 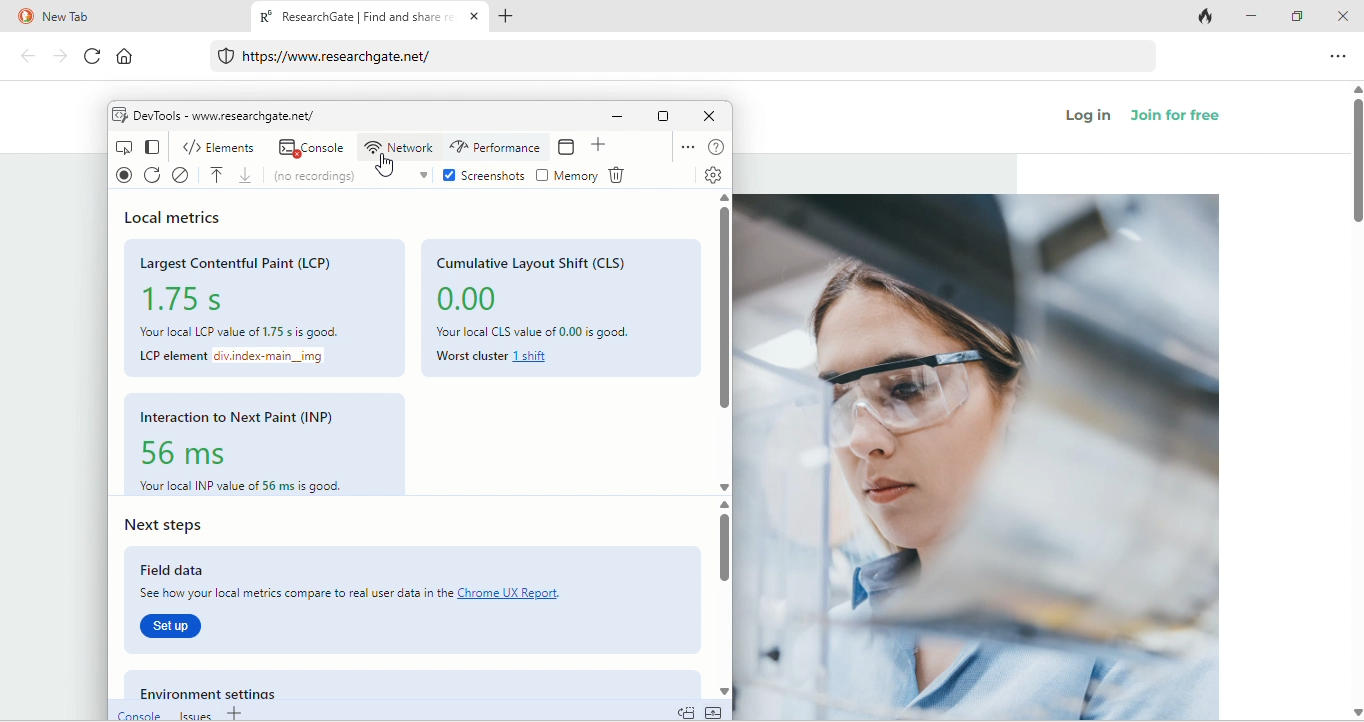 What do you see at coordinates (244, 485) in the screenshot?
I see `your local inp value of 56 ms is good` at bounding box center [244, 485].